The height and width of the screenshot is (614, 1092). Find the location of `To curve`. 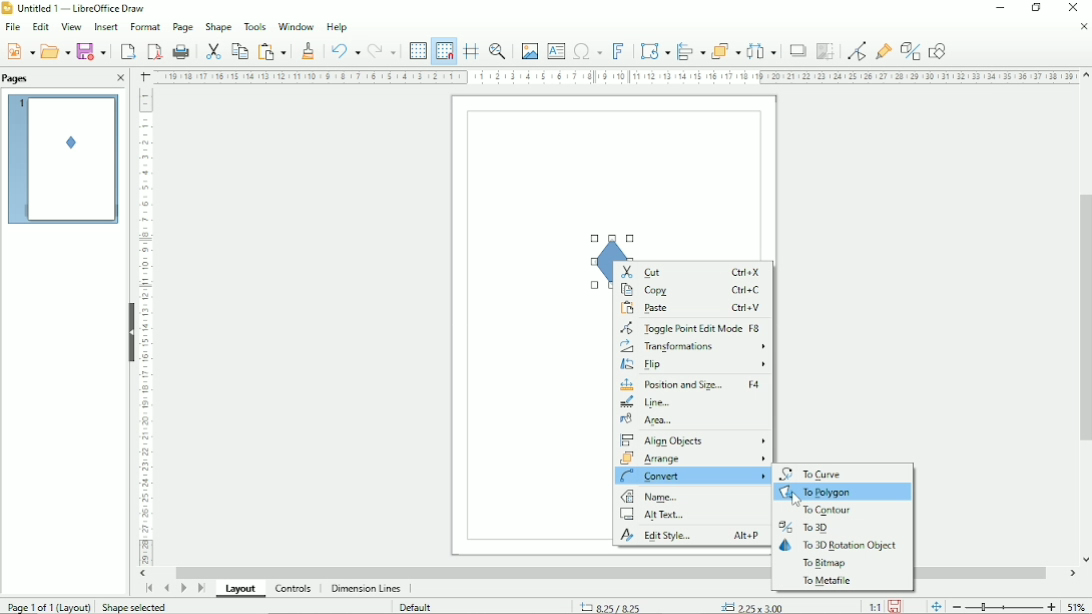

To curve is located at coordinates (814, 473).